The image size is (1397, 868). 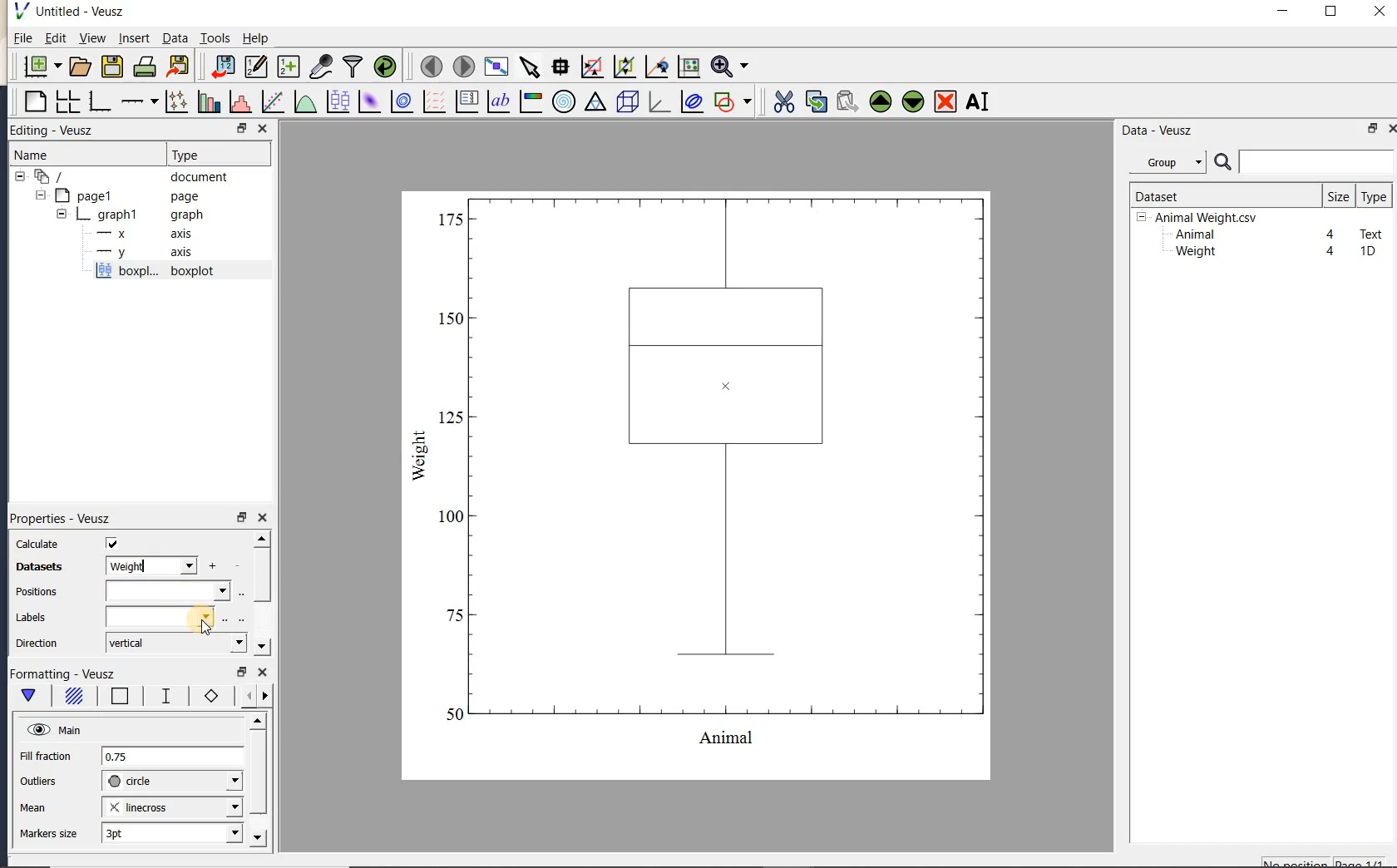 What do you see at coordinates (170, 832) in the screenshot?
I see `3pt` at bounding box center [170, 832].